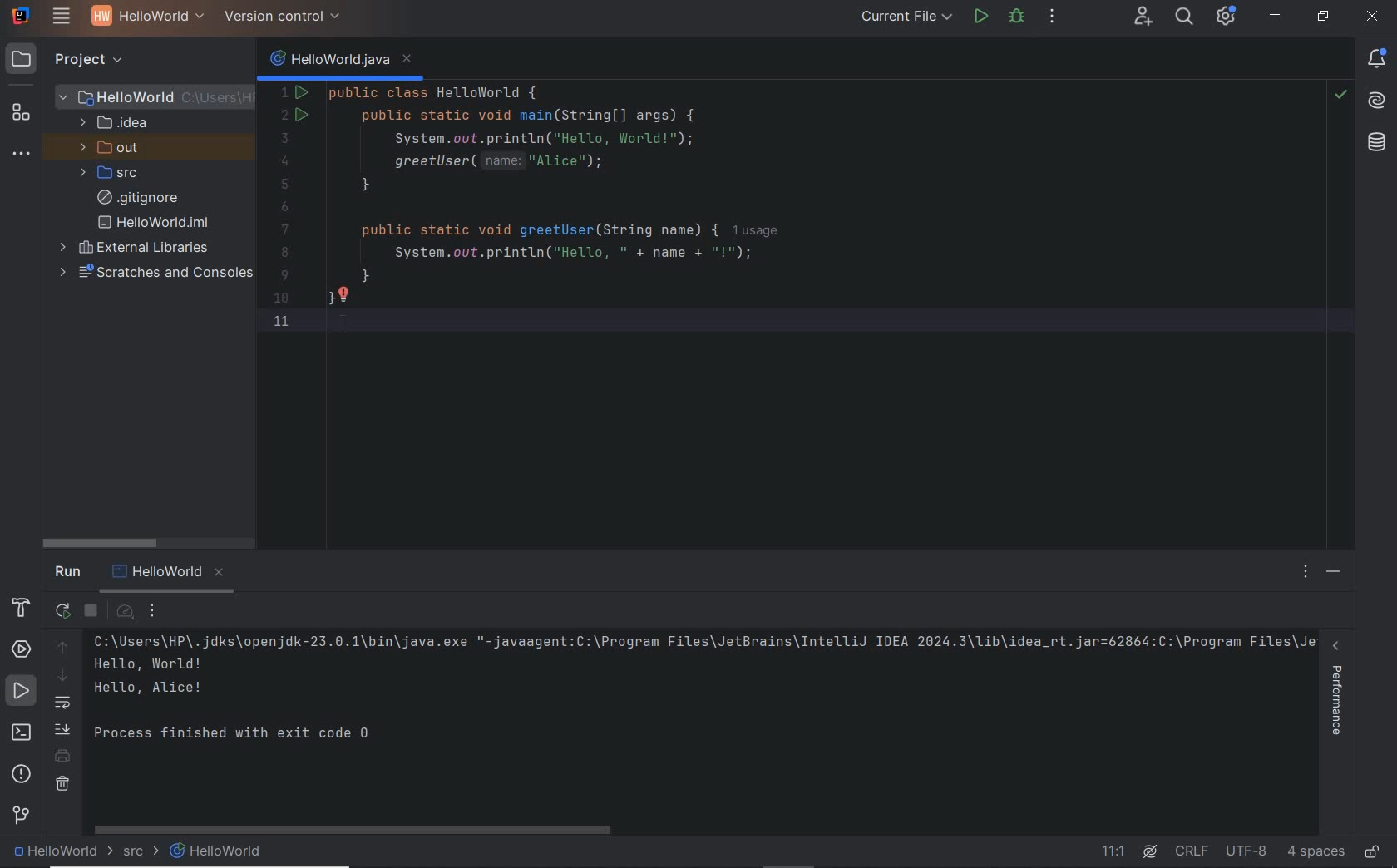 This screenshot has height=868, width=1397. Describe the element at coordinates (1322, 17) in the screenshot. I see `restore` at that location.